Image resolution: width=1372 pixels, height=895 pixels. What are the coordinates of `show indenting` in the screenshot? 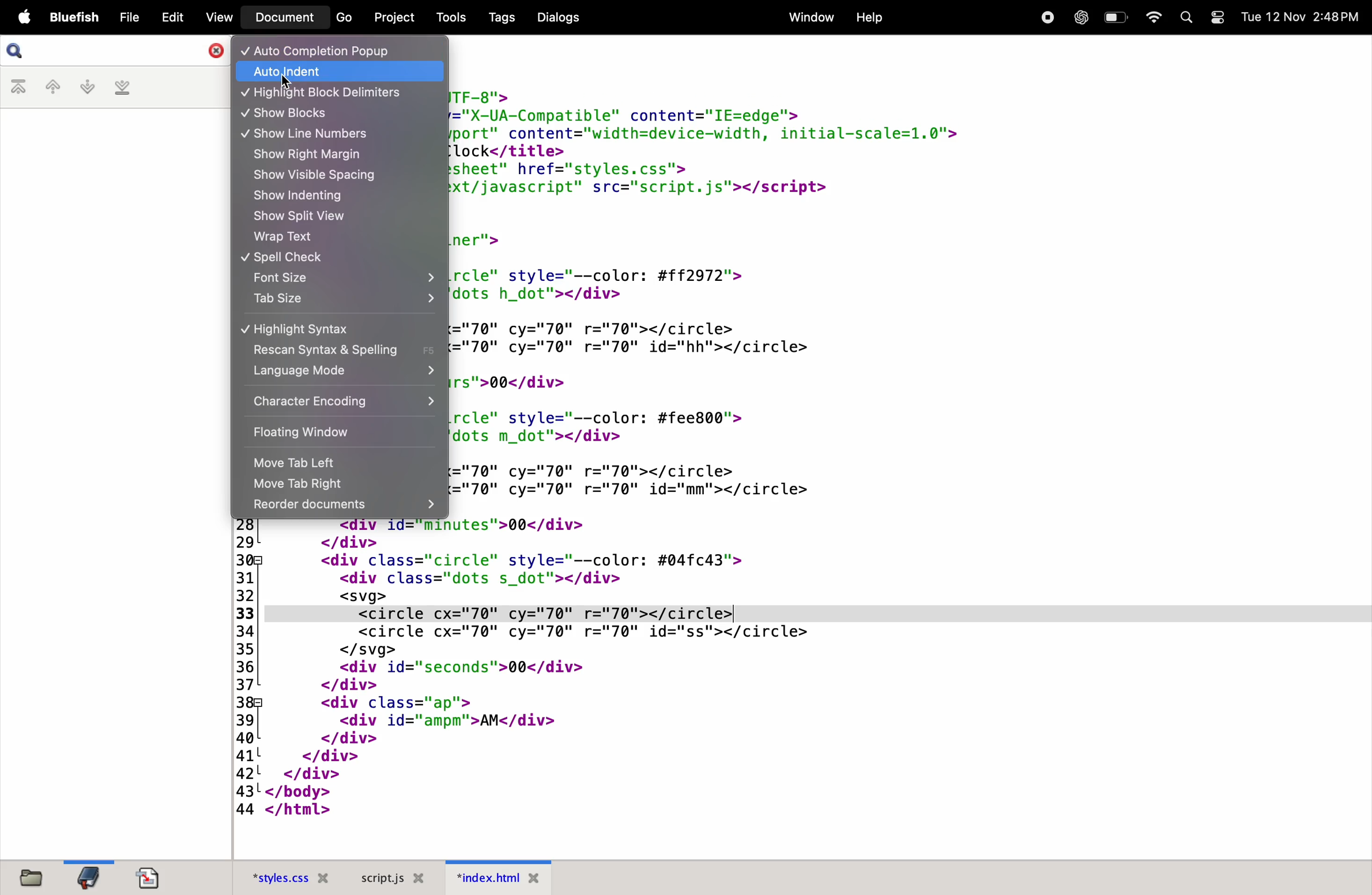 It's located at (337, 198).